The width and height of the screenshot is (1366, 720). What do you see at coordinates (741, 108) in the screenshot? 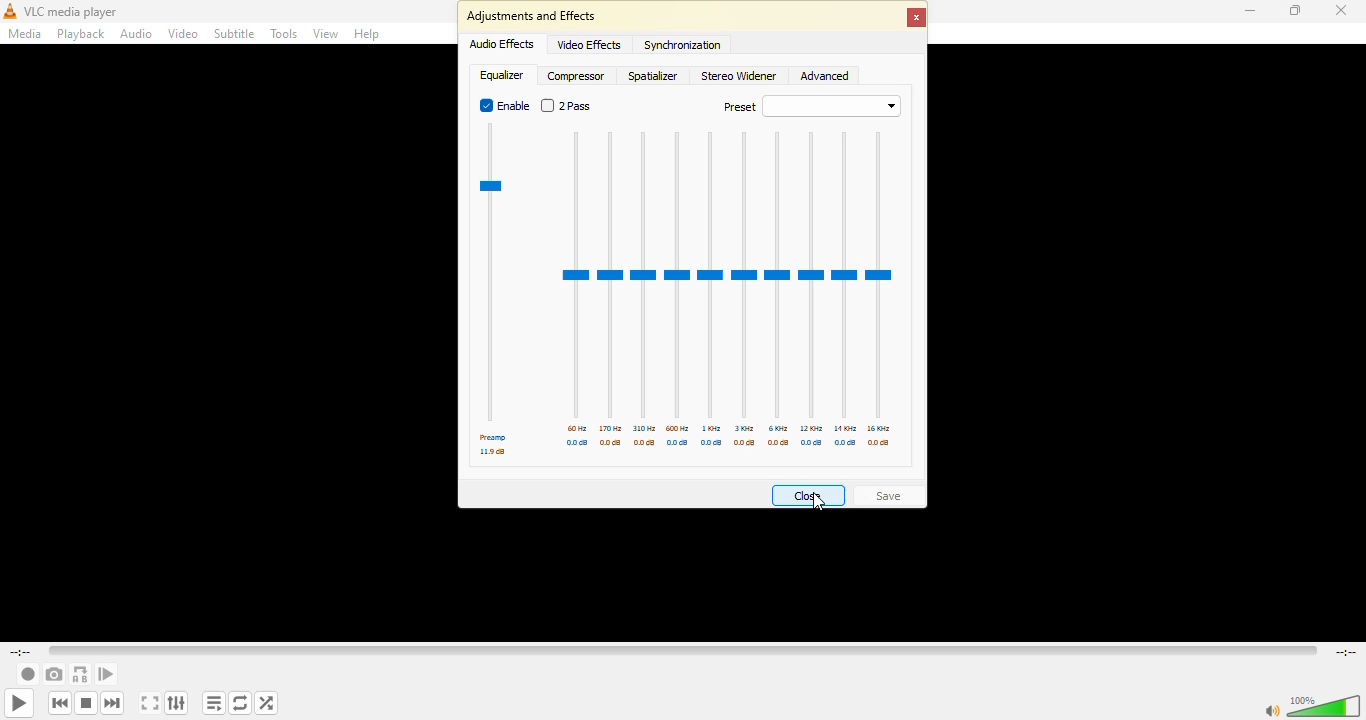
I see `preset` at bounding box center [741, 108].